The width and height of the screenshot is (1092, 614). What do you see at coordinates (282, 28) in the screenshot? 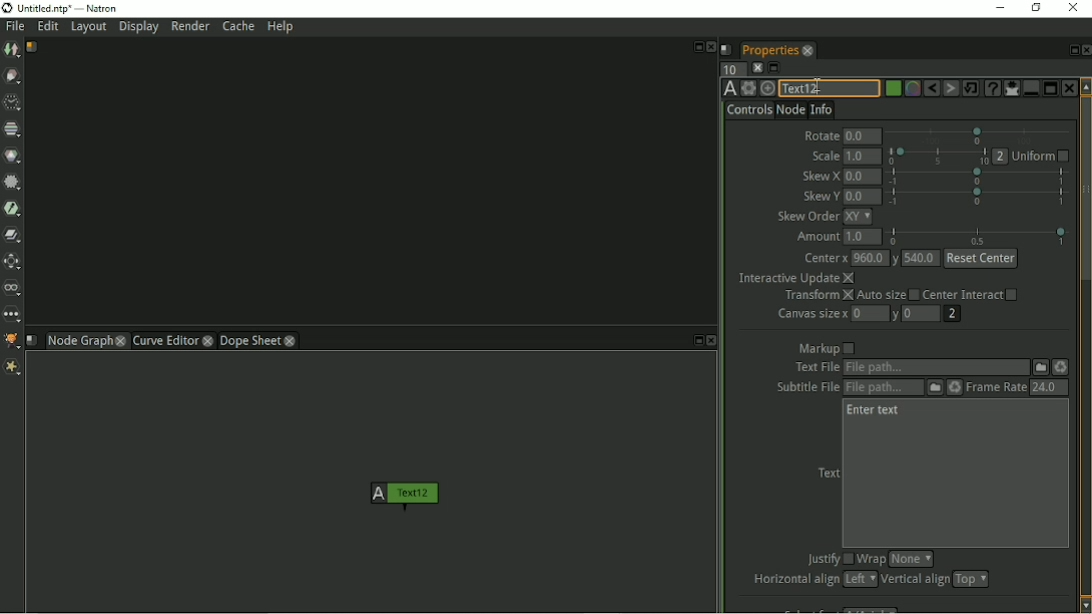
I see `Help` at bounding box center [282, 28].